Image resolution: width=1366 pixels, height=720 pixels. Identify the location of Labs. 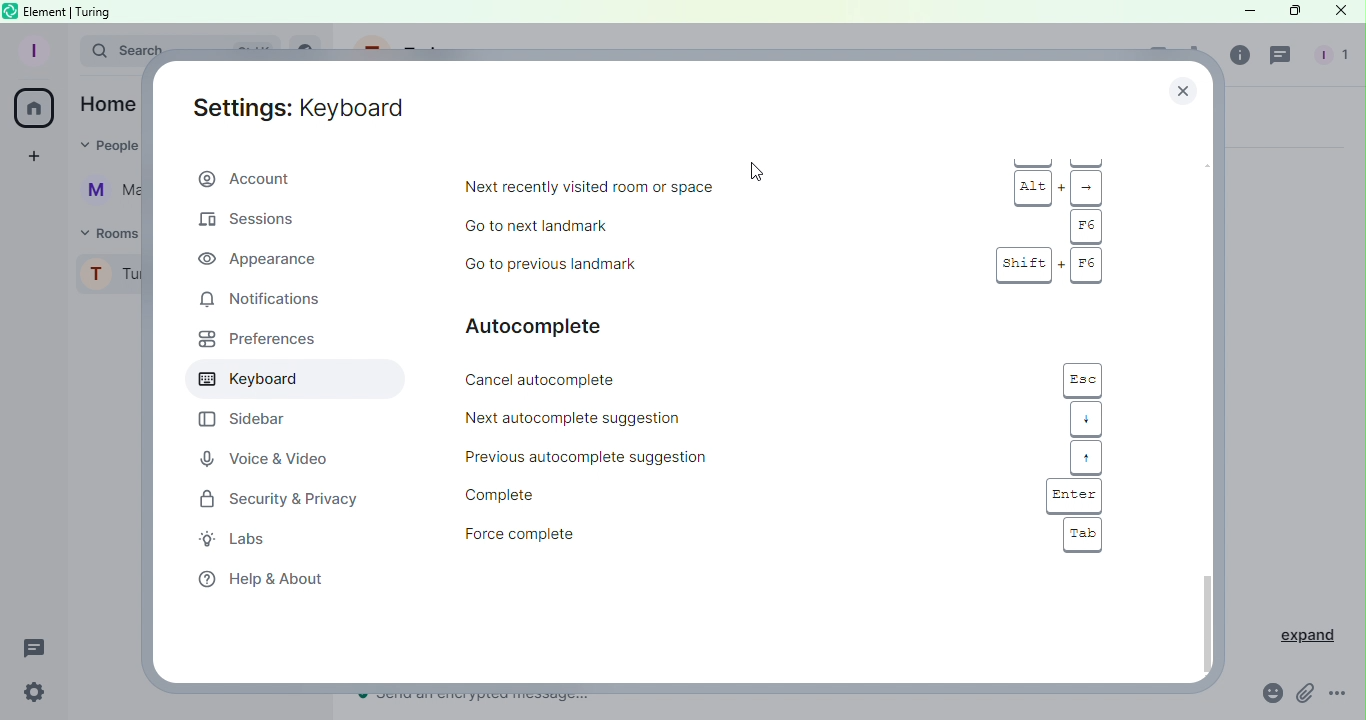
(245, 541).